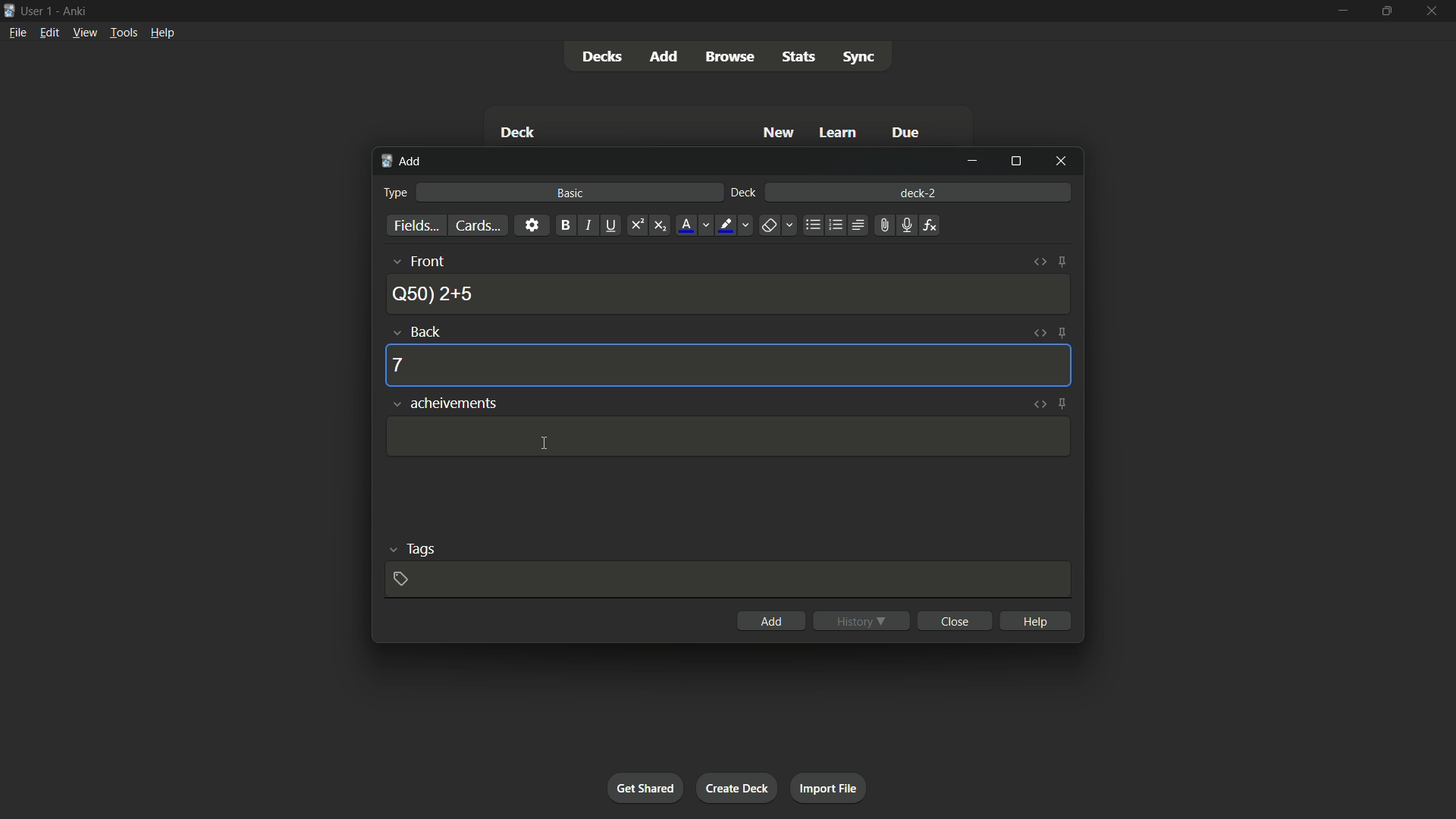  What do you see at coordinates (49, 33) in the screenshot?
I see `edit menu` at bounding box center [49, 33].